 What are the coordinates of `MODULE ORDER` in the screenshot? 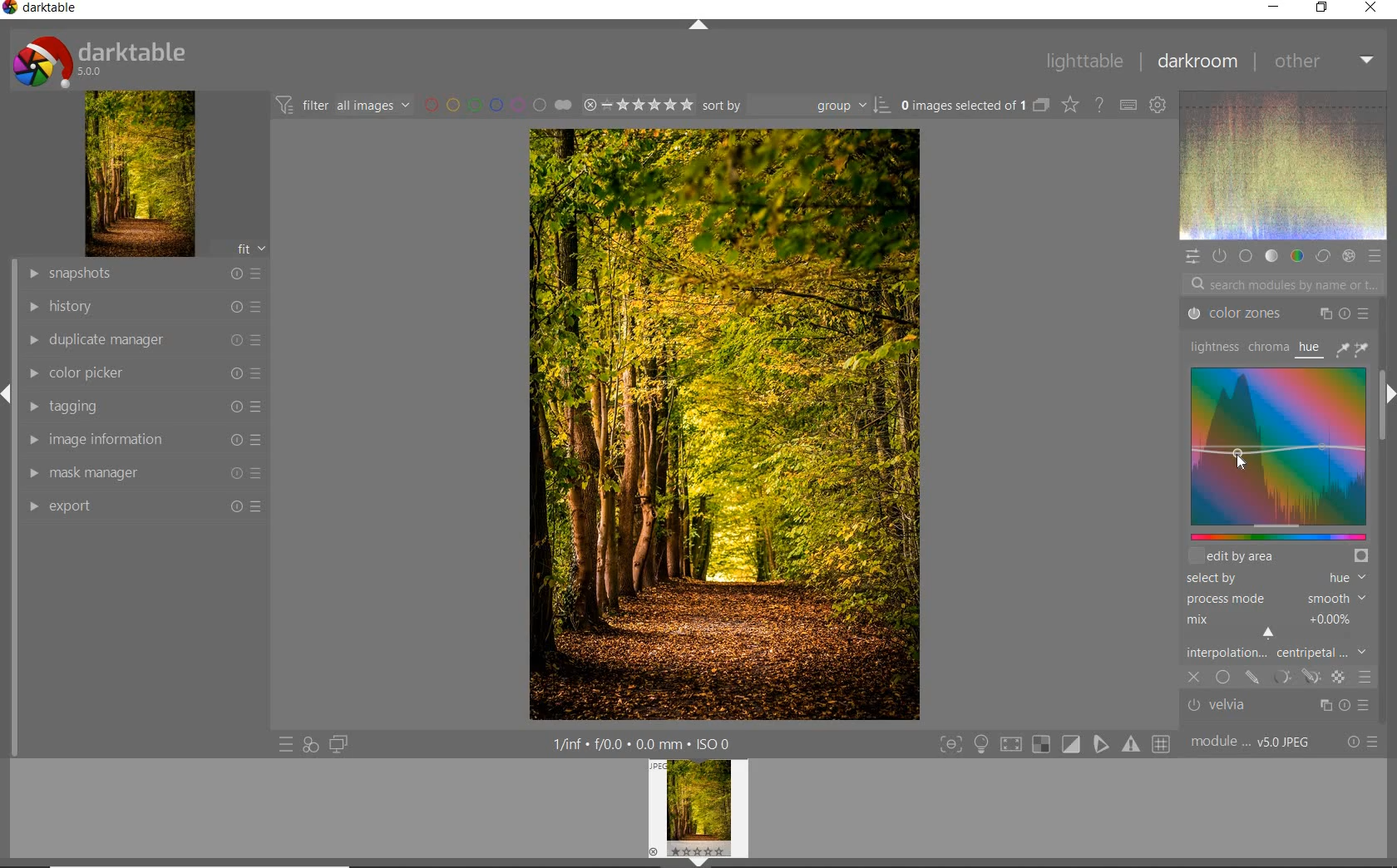 It's located at (1252, 742).